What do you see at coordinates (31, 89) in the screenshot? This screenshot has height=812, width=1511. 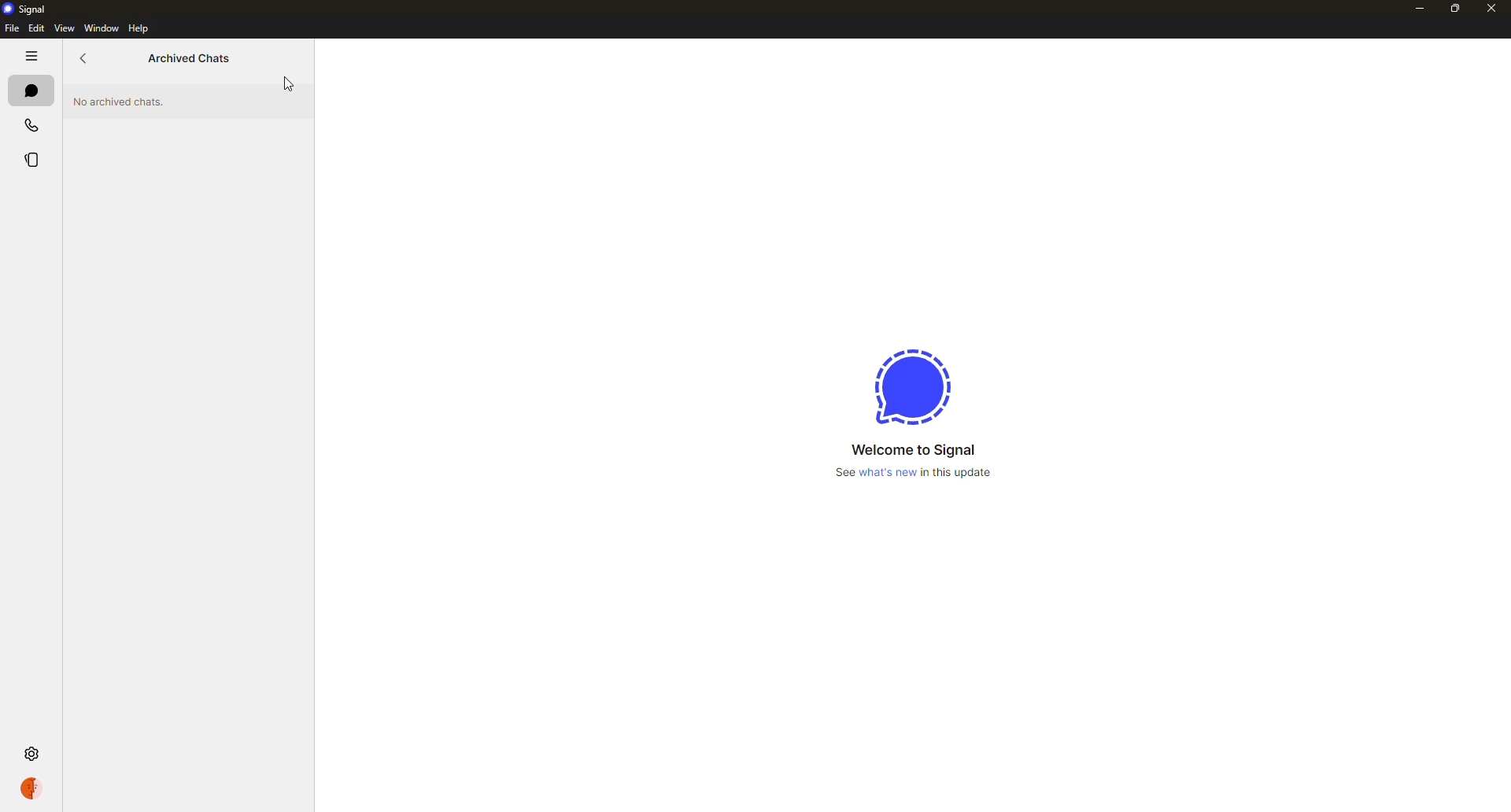 I see `chats` at bounding box center [31, 89].